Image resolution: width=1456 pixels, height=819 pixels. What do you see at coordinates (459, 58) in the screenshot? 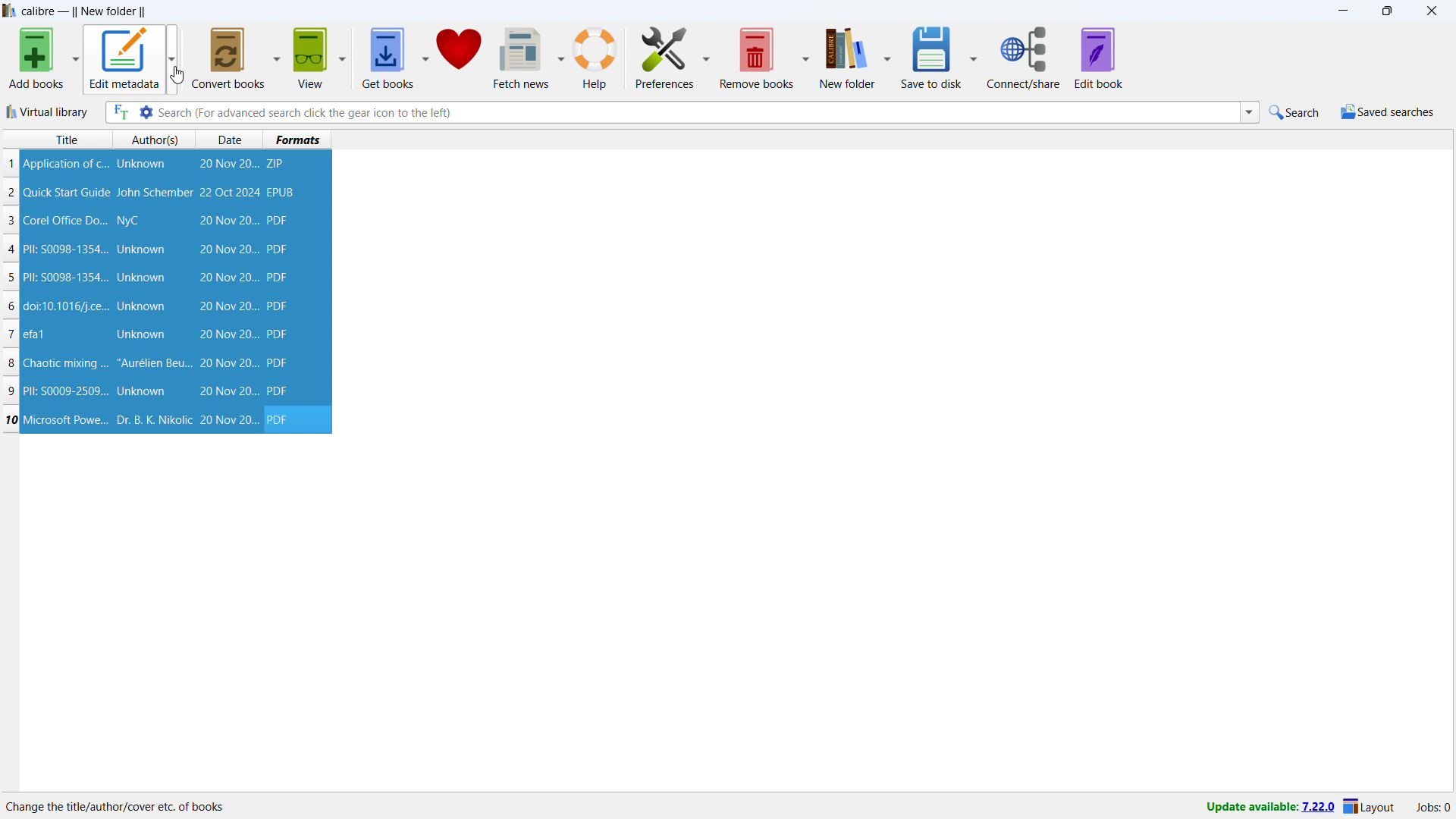
I see `donate to calibre` at bounding box center [459, 58].